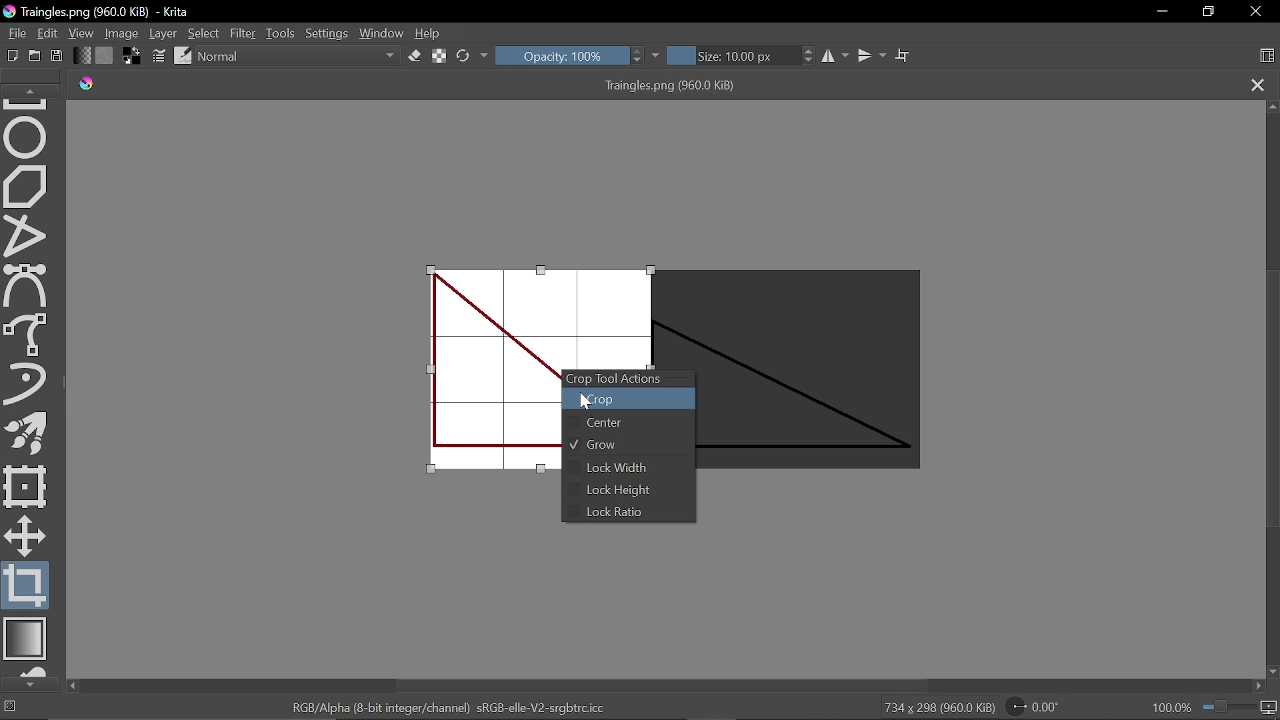 This screenshot has height=720, width=1280. Describe the element at coordinates (123, 32) in the screenshot. I see `Image` at that location.